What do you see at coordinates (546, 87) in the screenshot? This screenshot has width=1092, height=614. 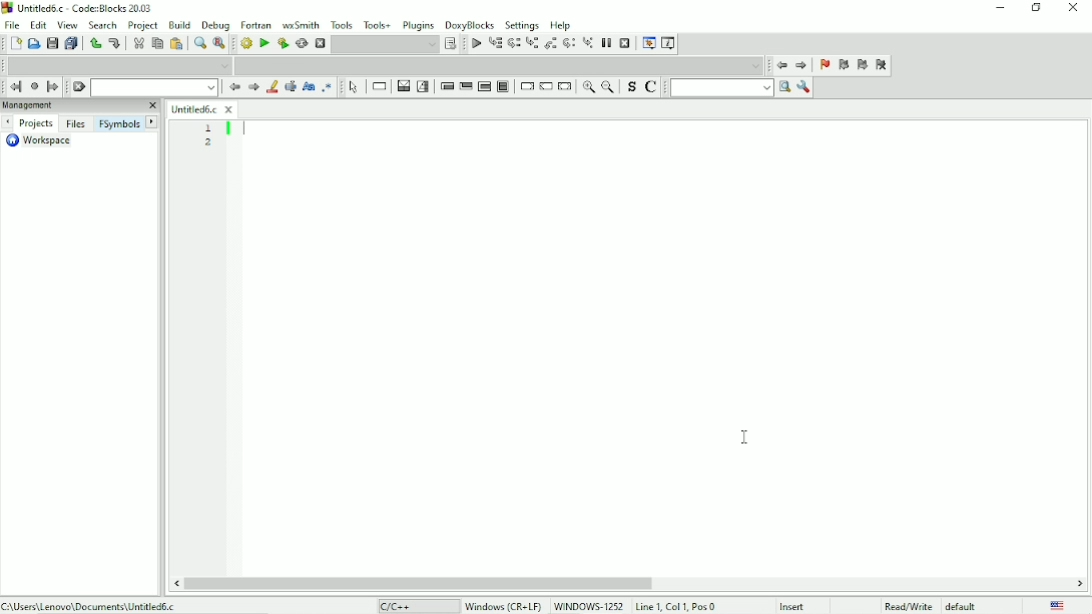 I see `Continue-instruction` at bounding box center [546, 87].